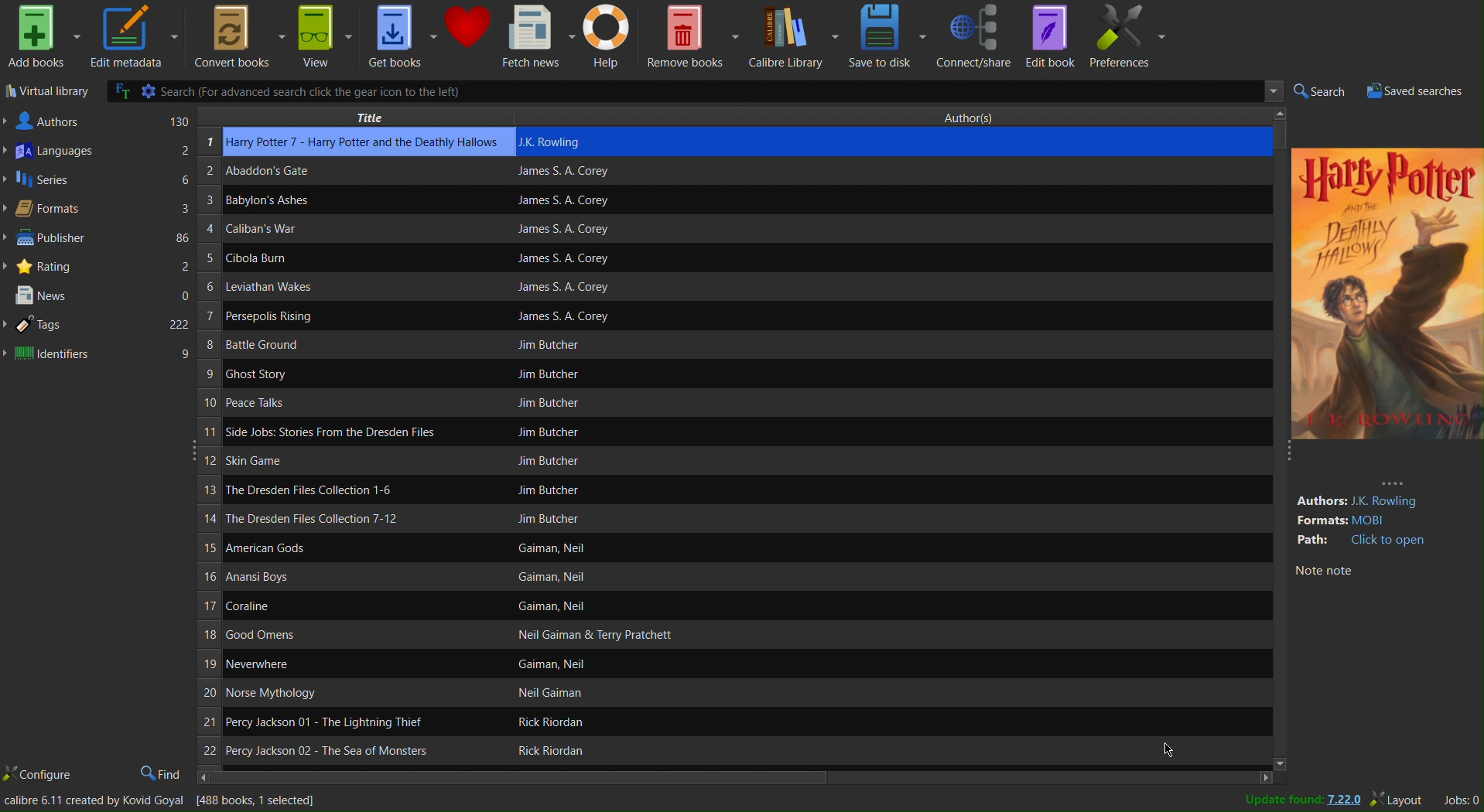 The width and height of the screenshot is (1484, 812). Describe the element at coordinates (694, 490) in the screenshot. I see `Author’s name` at that location.